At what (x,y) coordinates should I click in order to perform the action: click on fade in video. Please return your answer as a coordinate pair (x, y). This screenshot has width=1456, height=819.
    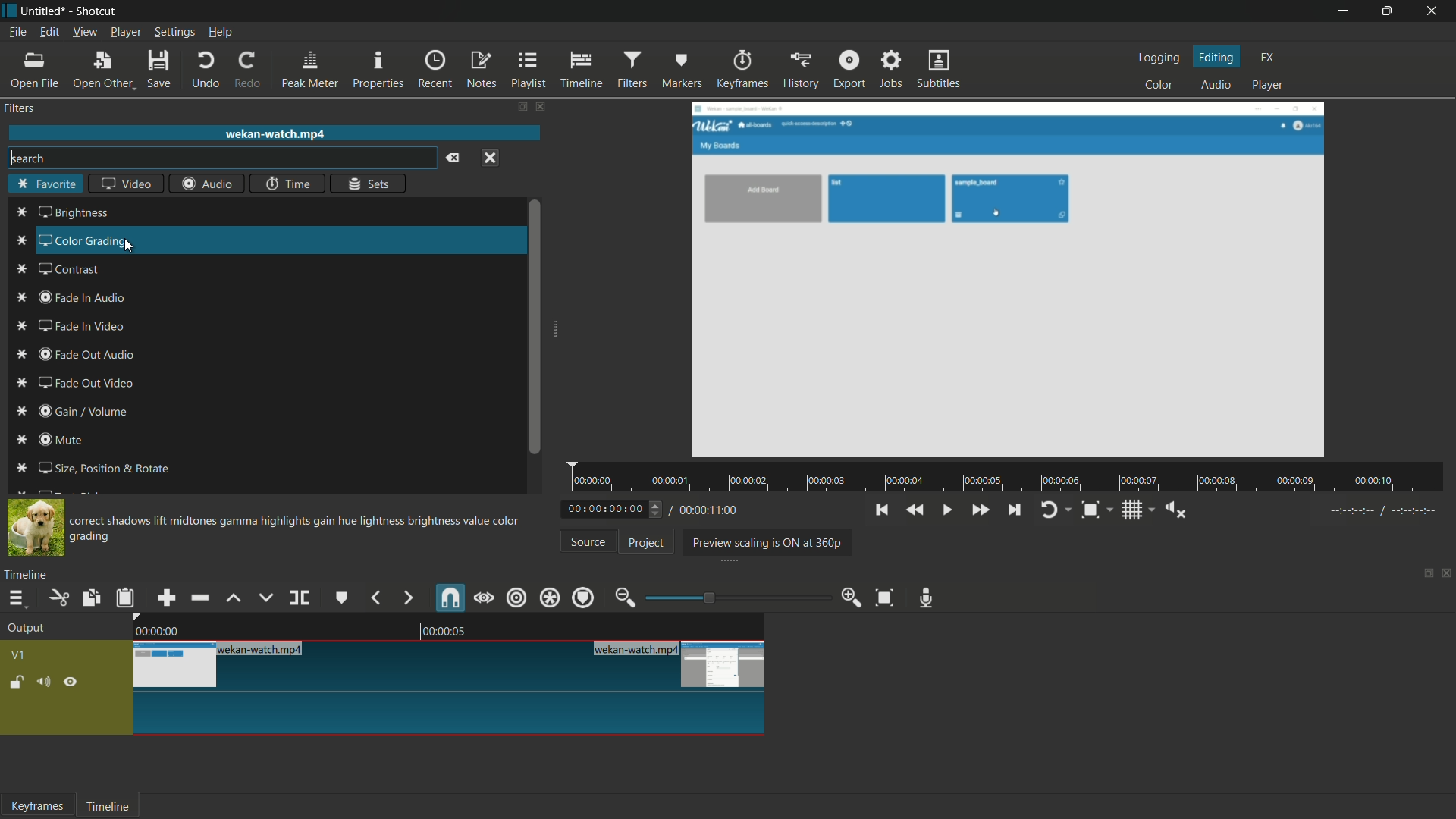
    Looking at the image, I should click on (72, 326).